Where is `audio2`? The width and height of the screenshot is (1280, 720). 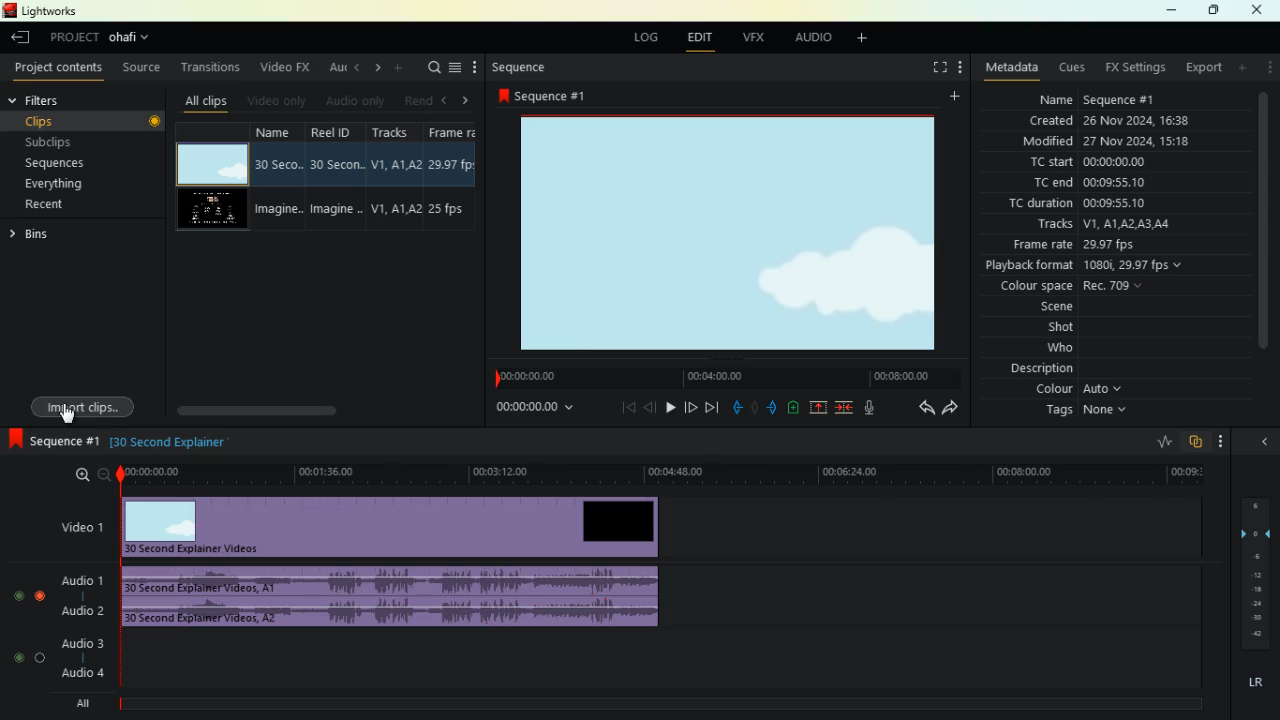
audio2 is located at coordinates (78, 610).